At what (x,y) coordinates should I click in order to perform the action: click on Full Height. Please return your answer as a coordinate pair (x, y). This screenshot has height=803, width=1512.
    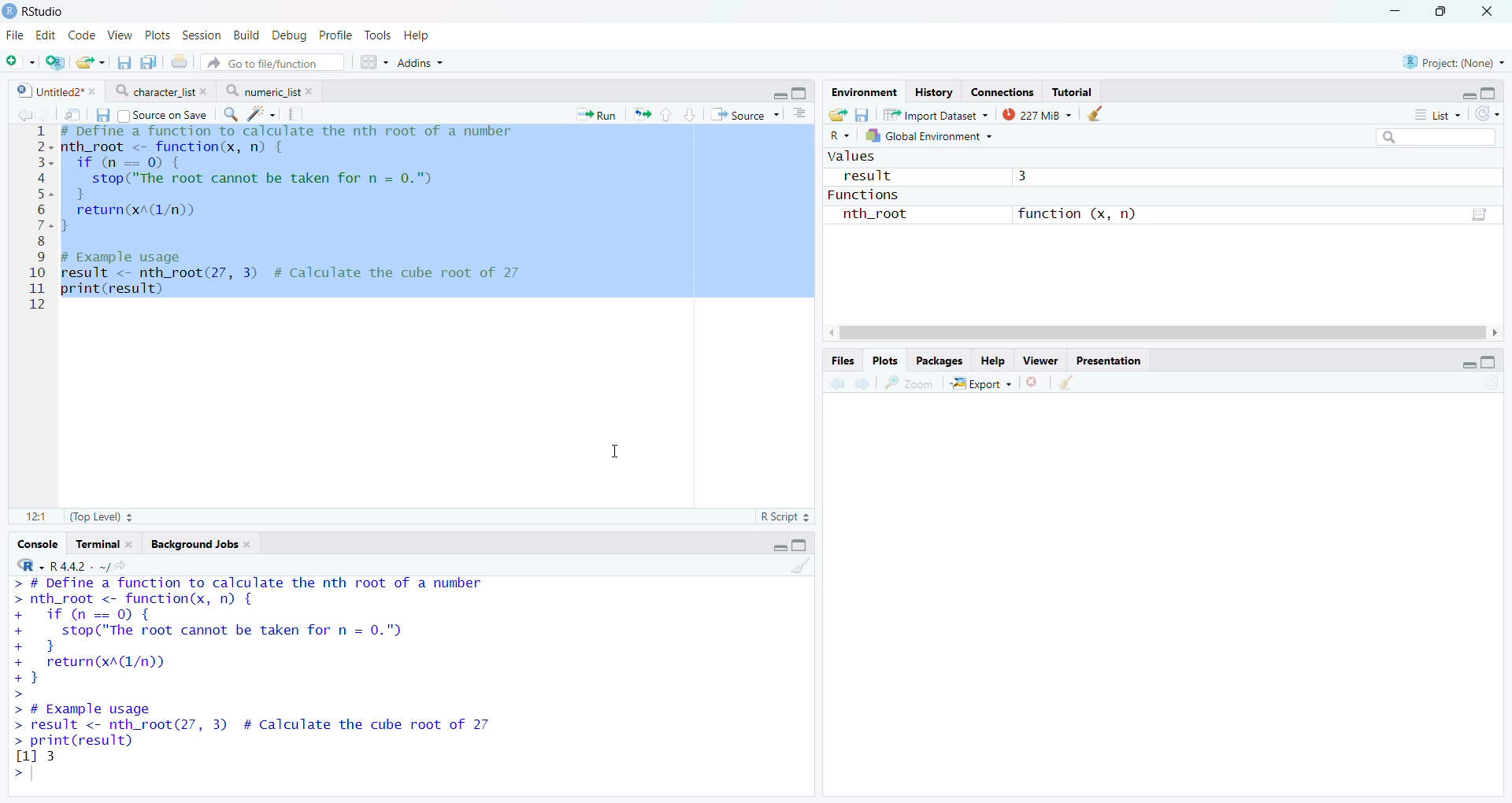
    Looking at the image, I should click on (801, 544).